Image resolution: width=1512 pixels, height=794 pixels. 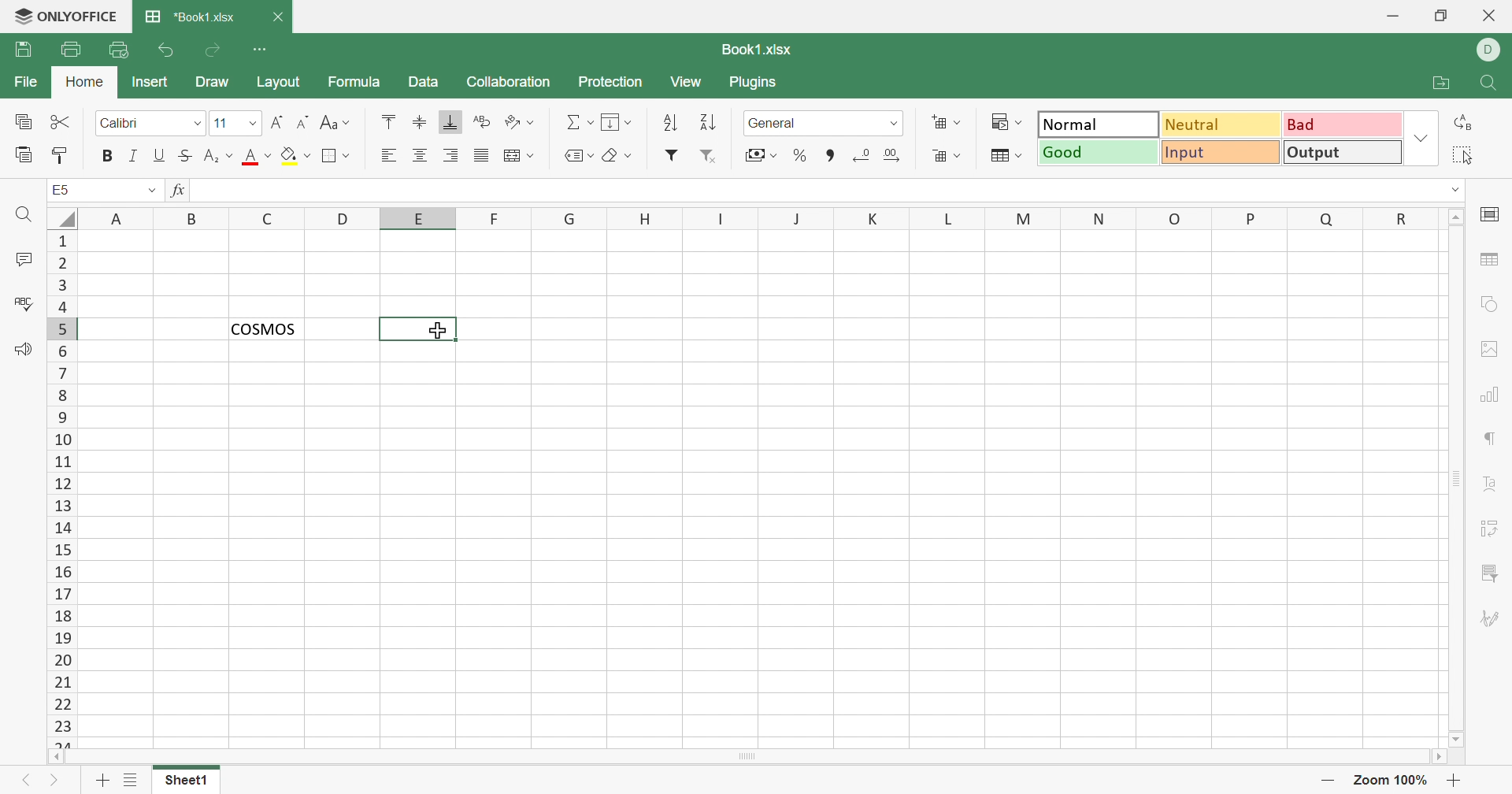 I want to click on Cut, so click(x=62, y=122).